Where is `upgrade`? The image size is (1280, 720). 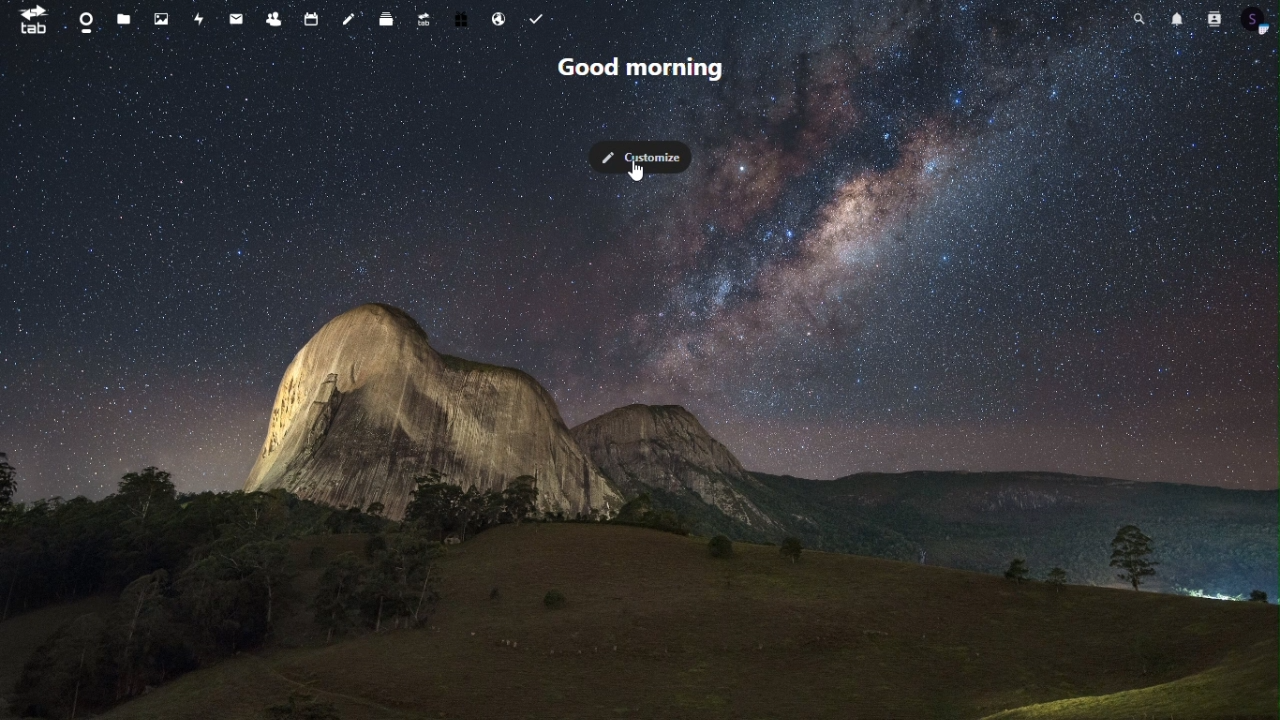 upgrade is located at coordinates (428, 21).